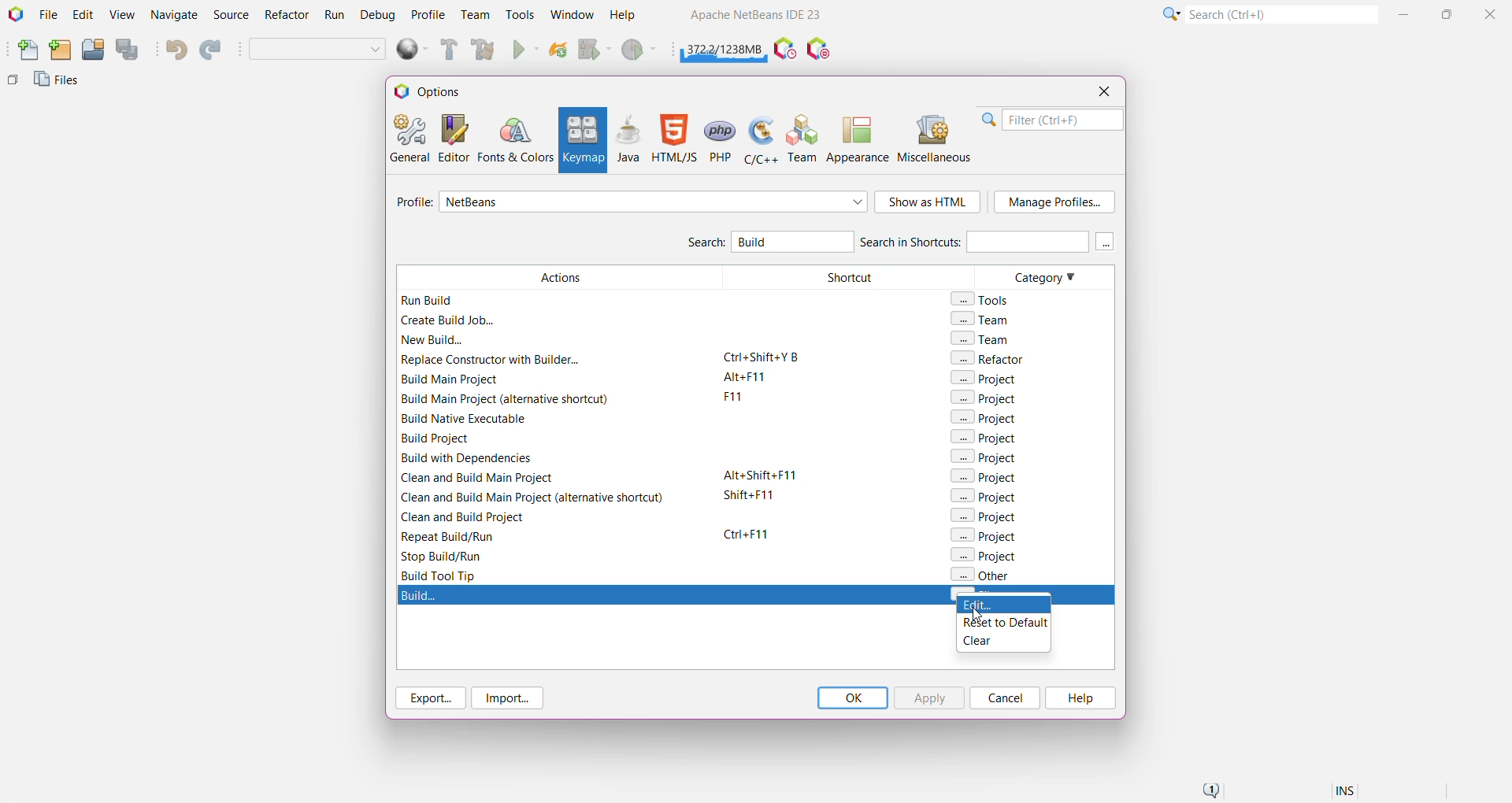 This screenshot has width=1512, height=803. Describe the element at coordinates (526, 51) in the screenshot. I see `Run` at that location.